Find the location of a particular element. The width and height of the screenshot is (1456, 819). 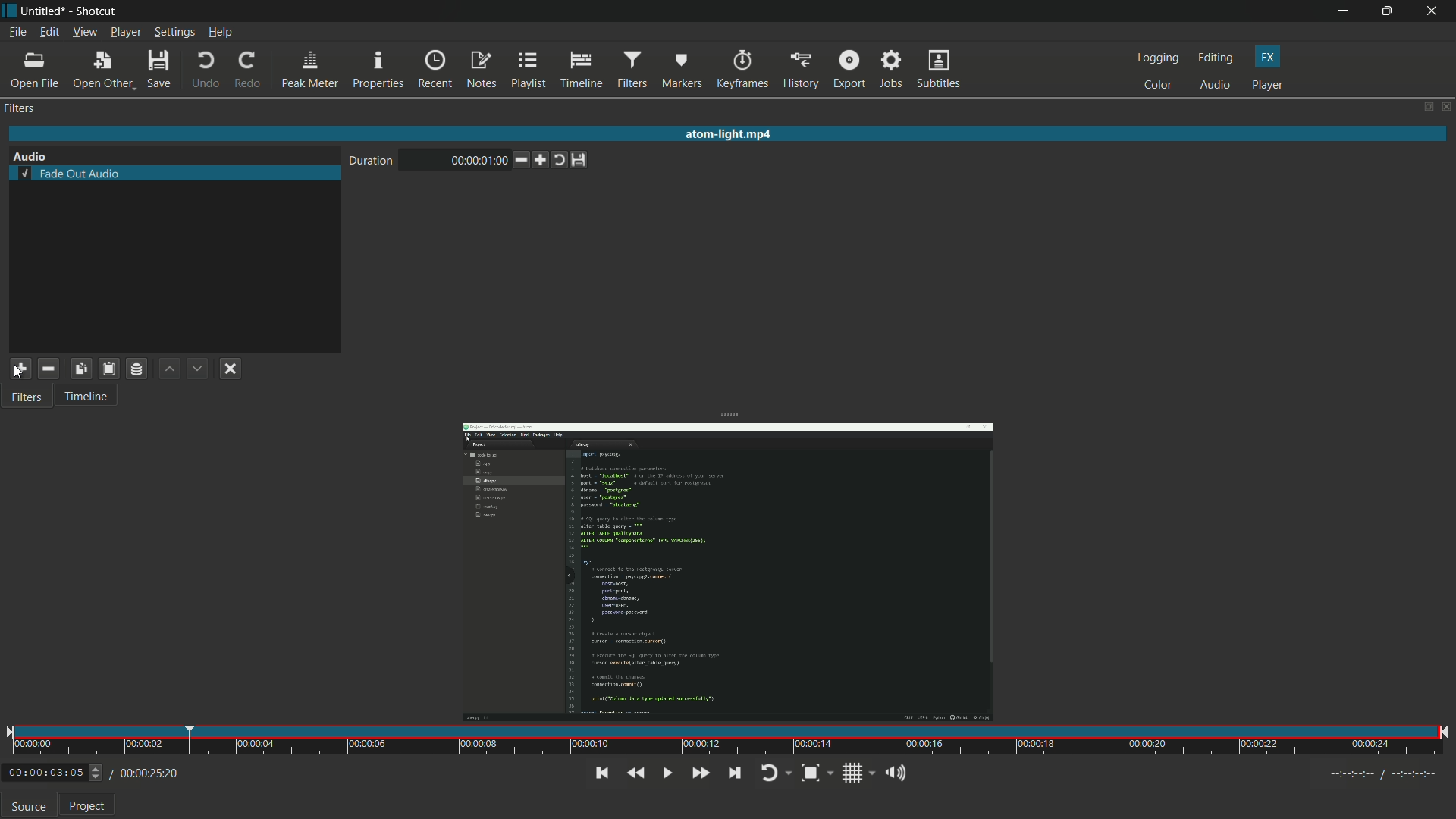

change layout is located at coordinates (1426, 108).